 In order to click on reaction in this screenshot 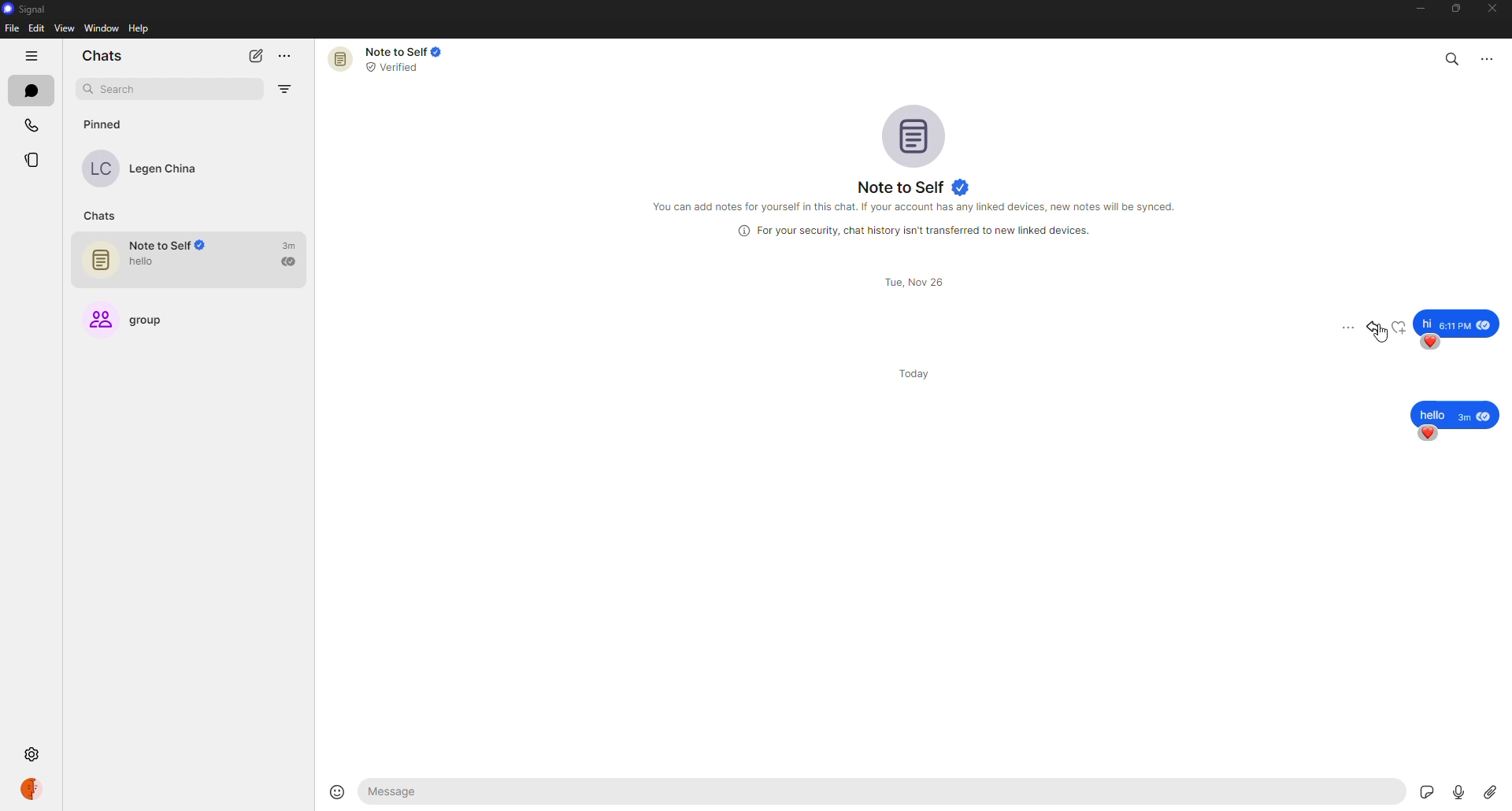, I will do `click(1432, 343)`.